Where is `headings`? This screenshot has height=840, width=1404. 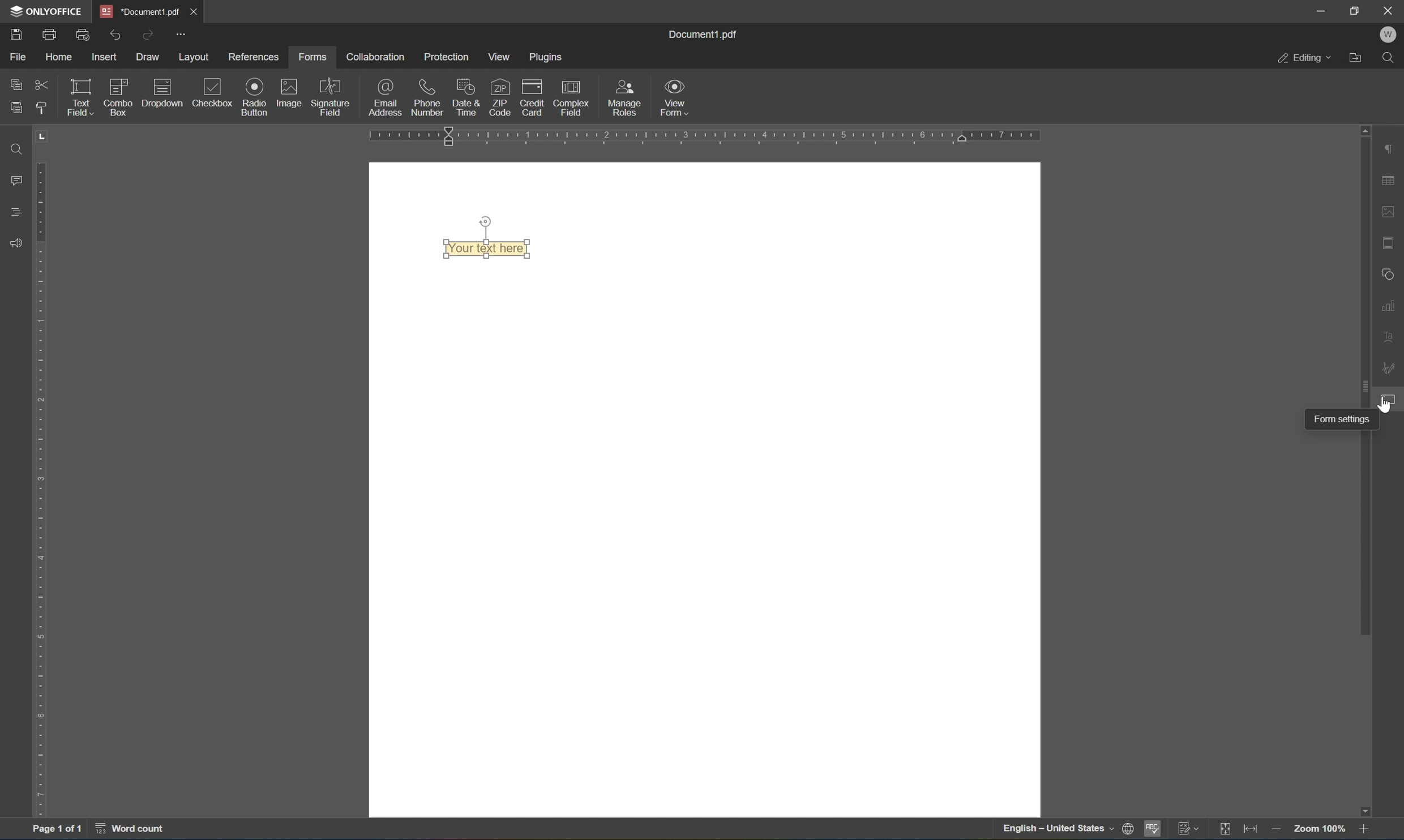
headings is located at coordinates (11, 211).